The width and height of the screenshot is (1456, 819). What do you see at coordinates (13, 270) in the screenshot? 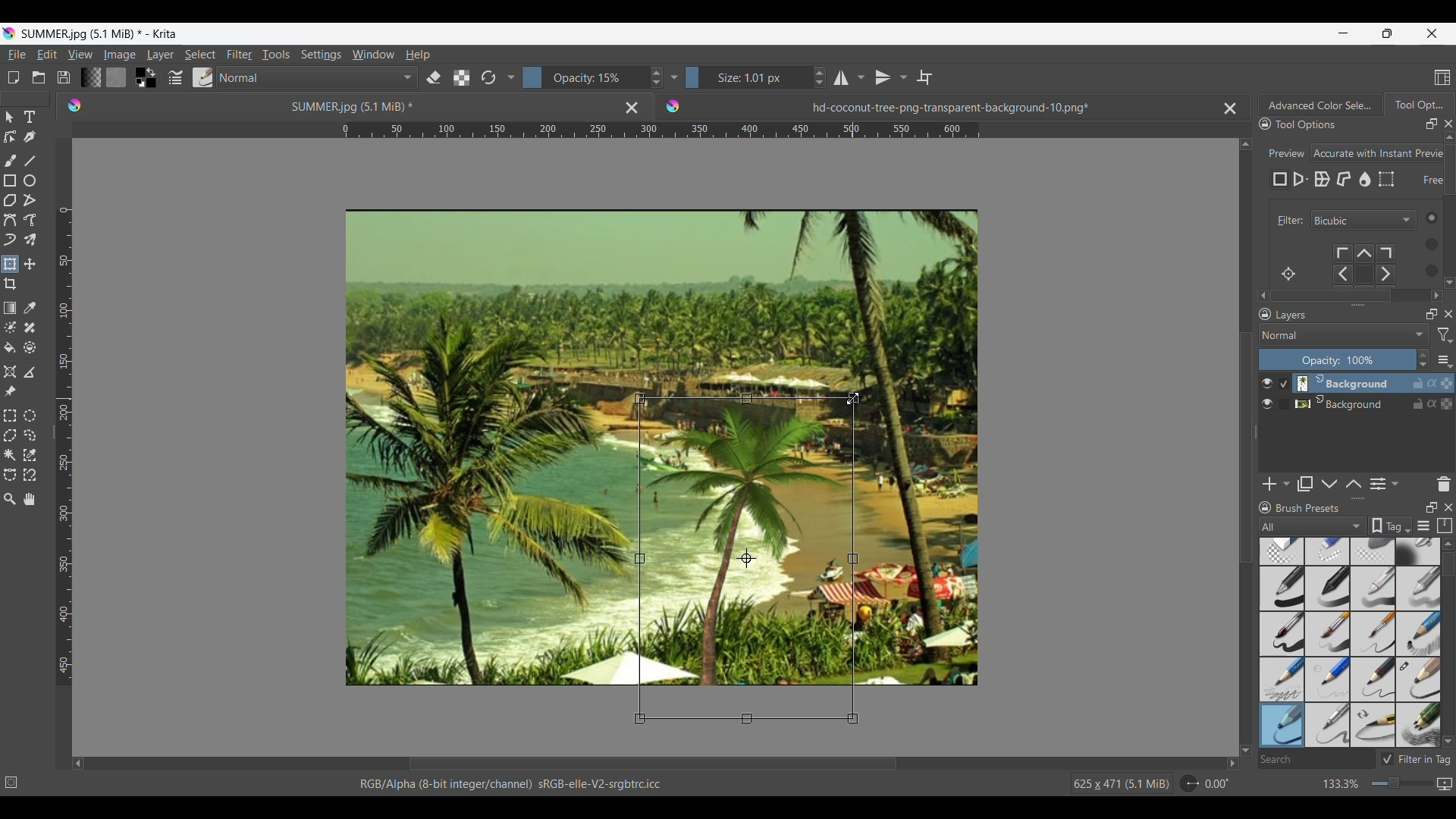
I see `Cursor clicking on Transform tool` at bounding box center [13, 270].